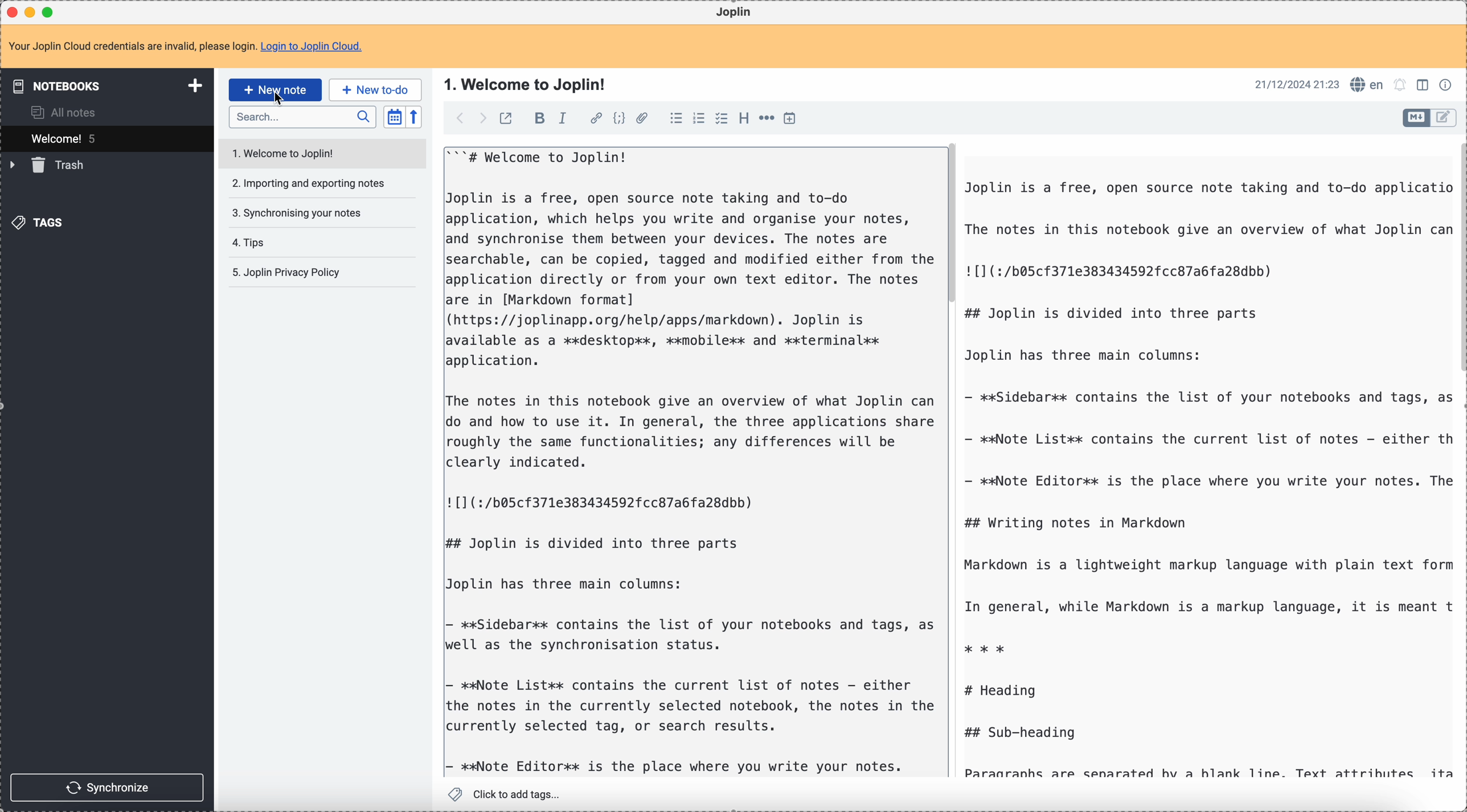  I want to click on welcome to Joplin, so click(323, 154).